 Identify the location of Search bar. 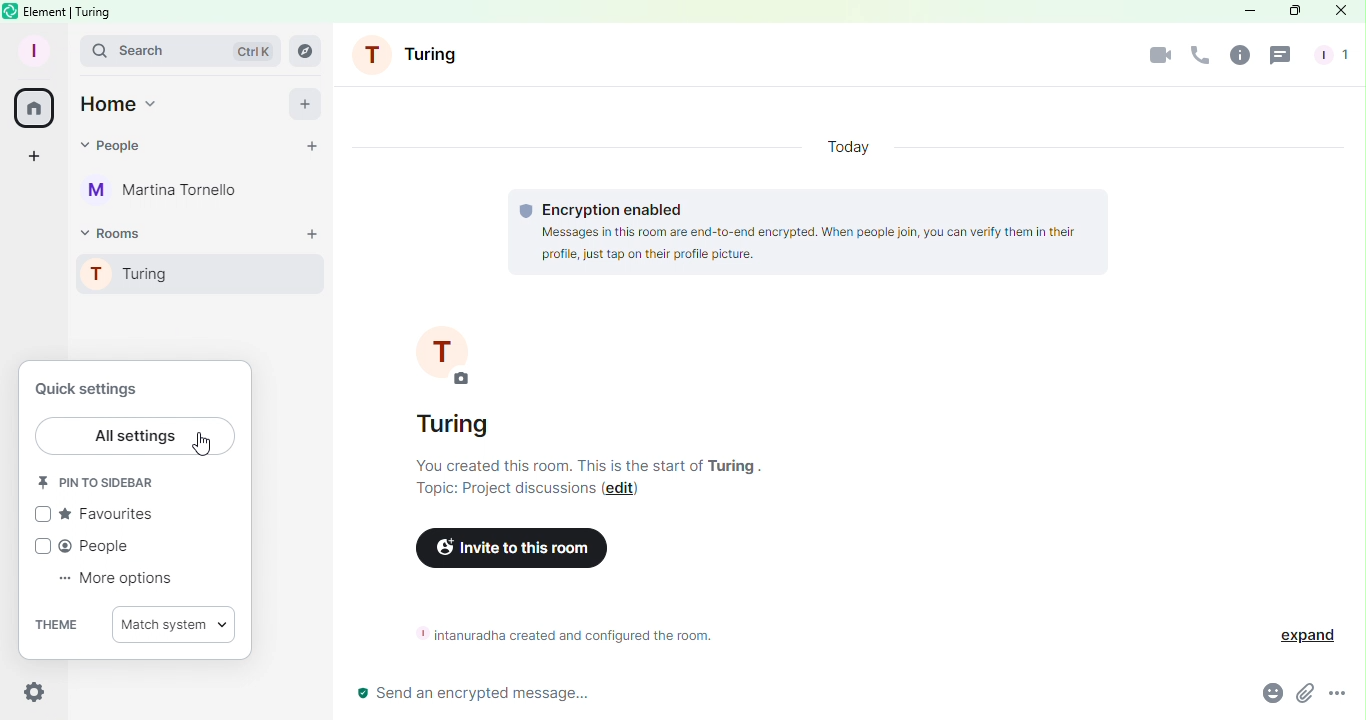
(181, 48).